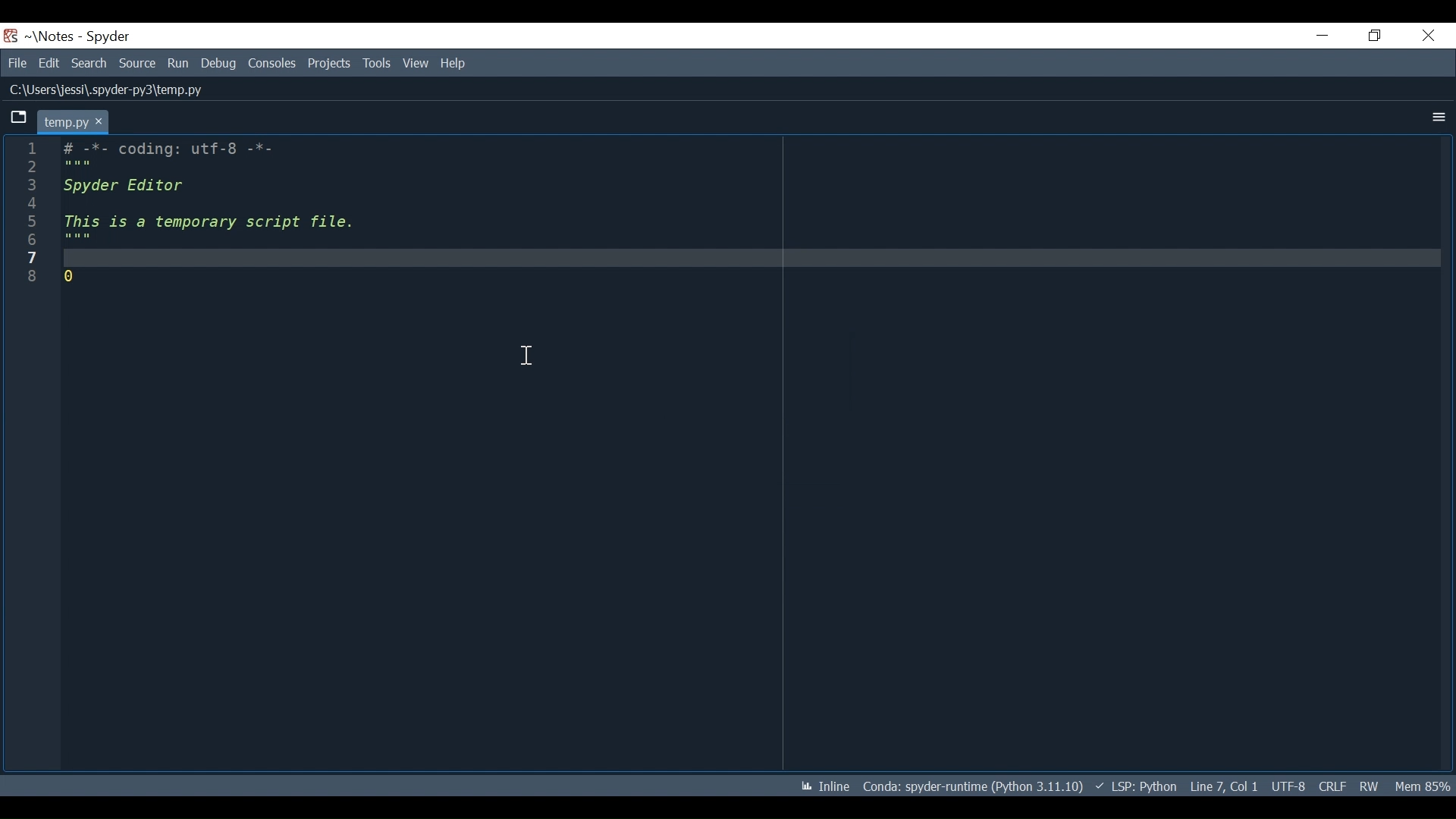 The height and width of the screenshot is (819, 1456). Describe the element at coordinates (329, 63) in the screenshot. I see `Projects` at that location.